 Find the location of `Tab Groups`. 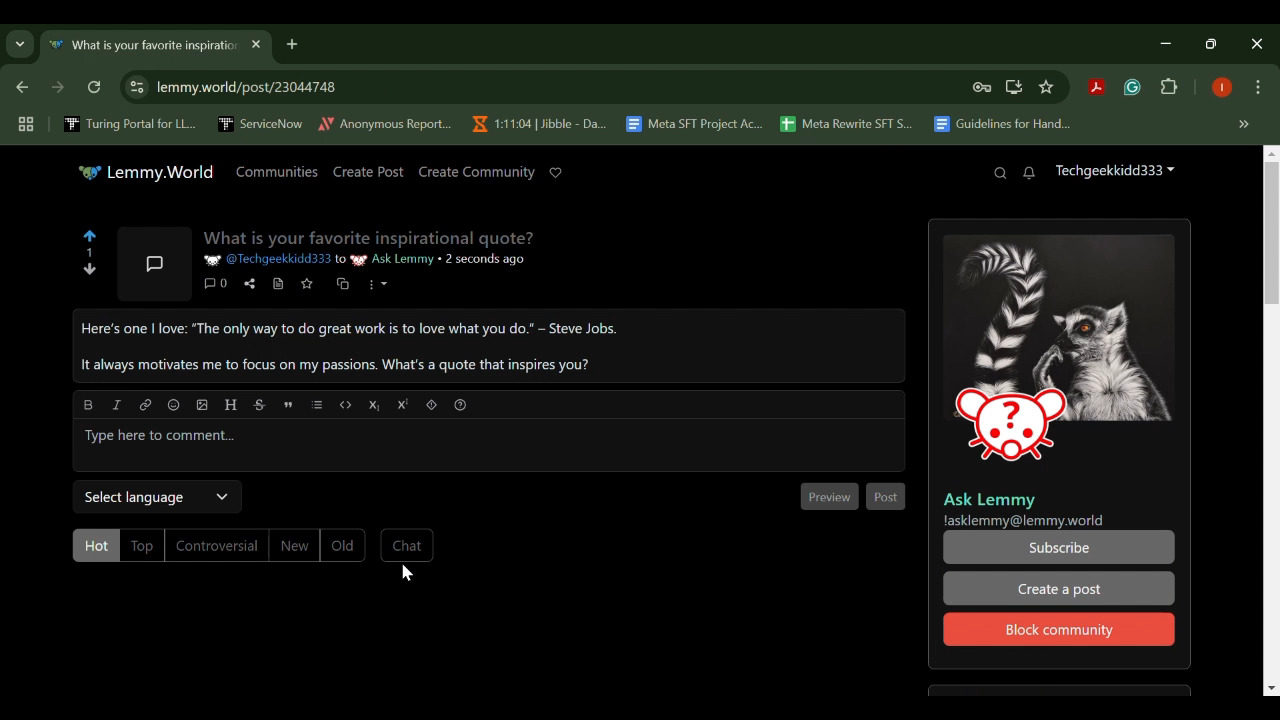

Tab Groups is located at coordinates (23, 125).